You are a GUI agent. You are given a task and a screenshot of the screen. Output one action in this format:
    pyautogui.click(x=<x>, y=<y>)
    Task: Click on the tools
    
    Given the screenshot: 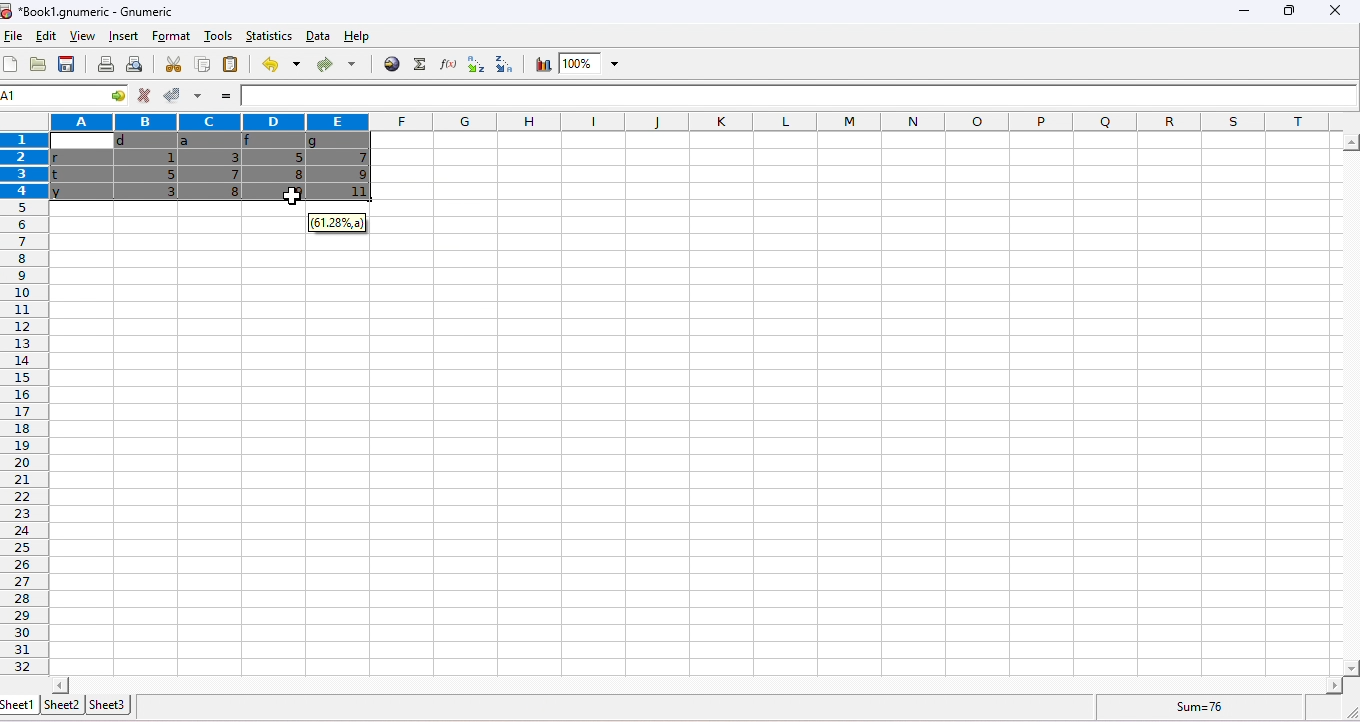 What is the action you would take?
    pyautogui.click(x=216, y=36)
    